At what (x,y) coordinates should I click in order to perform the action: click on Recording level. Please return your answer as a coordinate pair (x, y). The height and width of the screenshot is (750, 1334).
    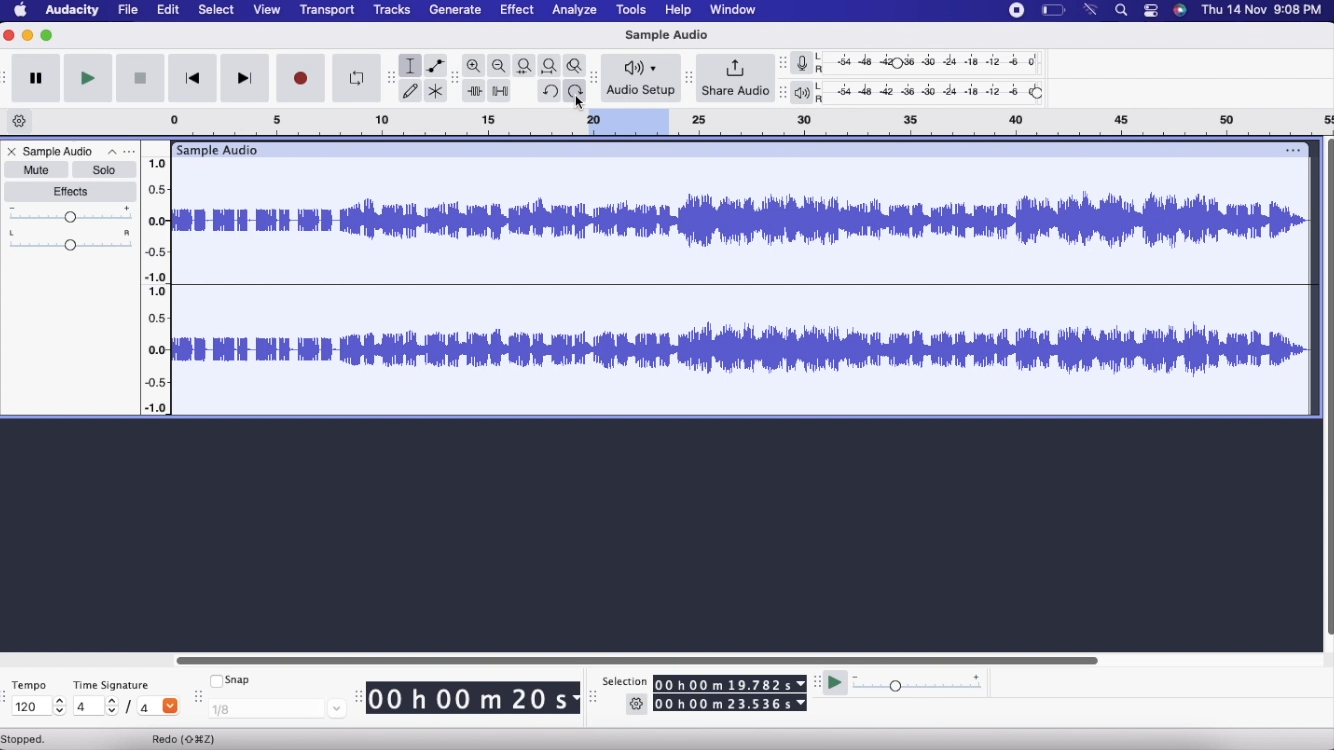
    Looking at the image, I should click on (934, 63).